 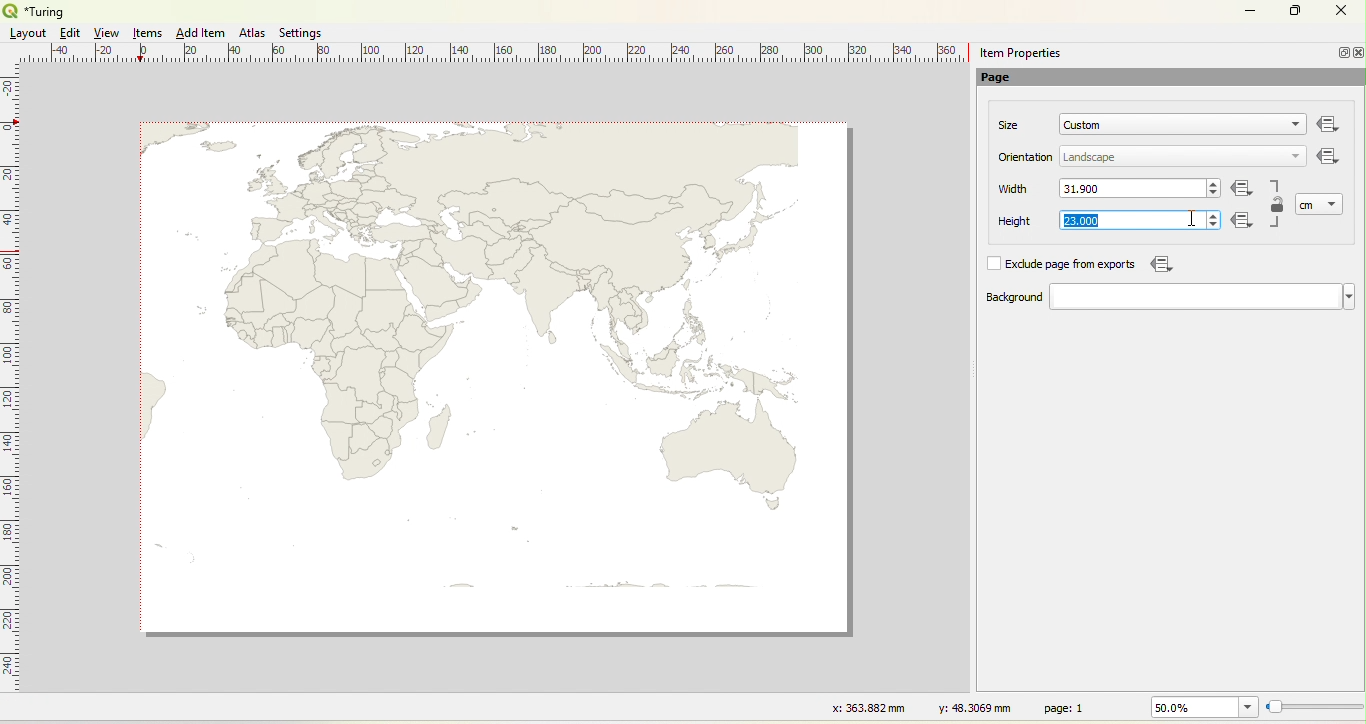 What do you see at coordinates (1296, 155) in the screenshot?
I see `dropdown` at bounding box center [1296, 155].